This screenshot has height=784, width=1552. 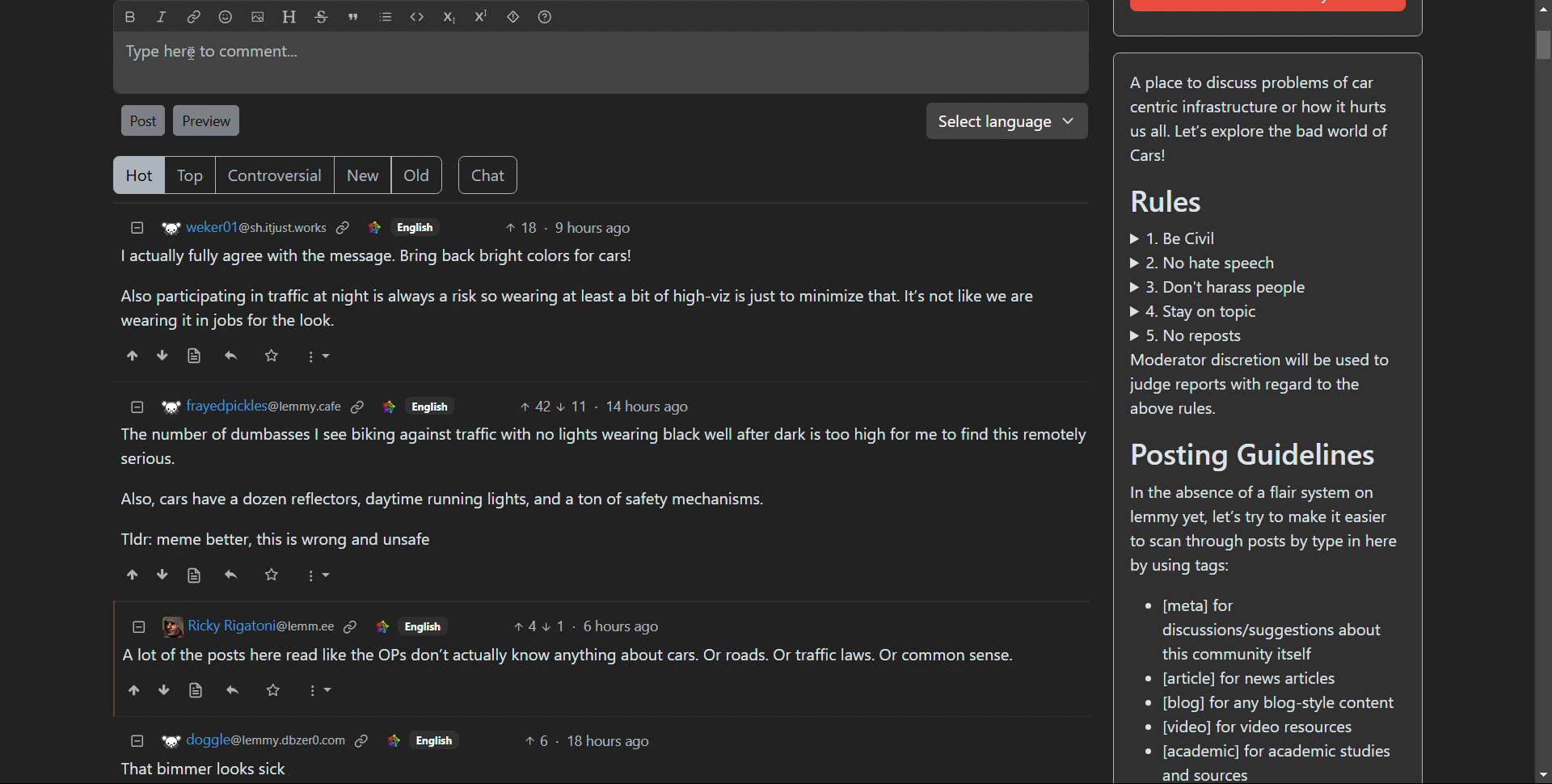 I want to click on upvote, so click(x=132, y=690).